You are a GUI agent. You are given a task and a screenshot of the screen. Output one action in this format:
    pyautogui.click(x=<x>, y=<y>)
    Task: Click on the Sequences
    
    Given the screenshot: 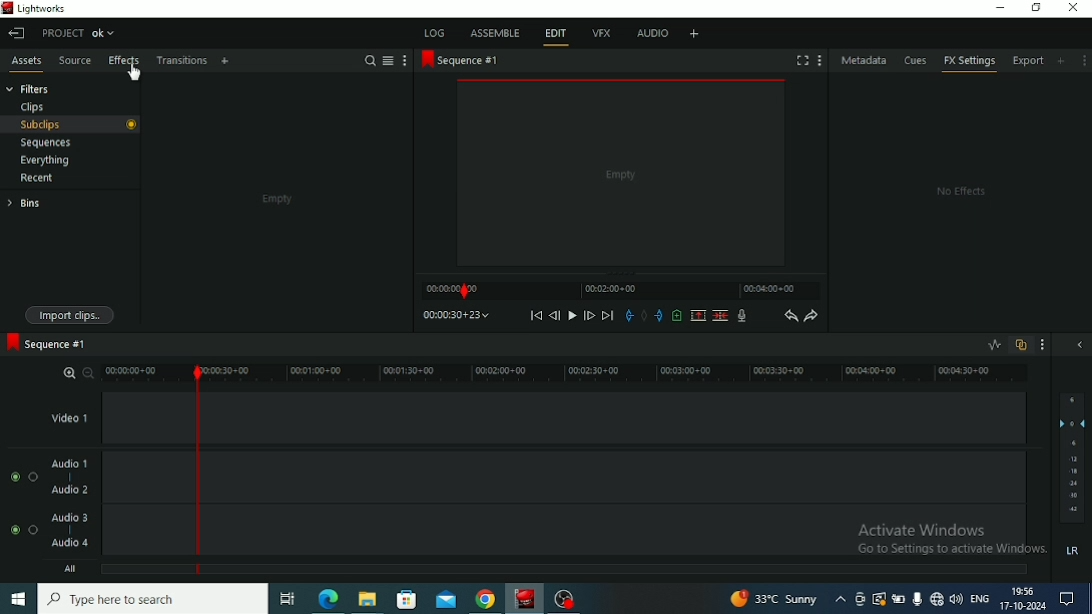 What is the action you would take?
    pyautogui.click(x=63, y=143)
    